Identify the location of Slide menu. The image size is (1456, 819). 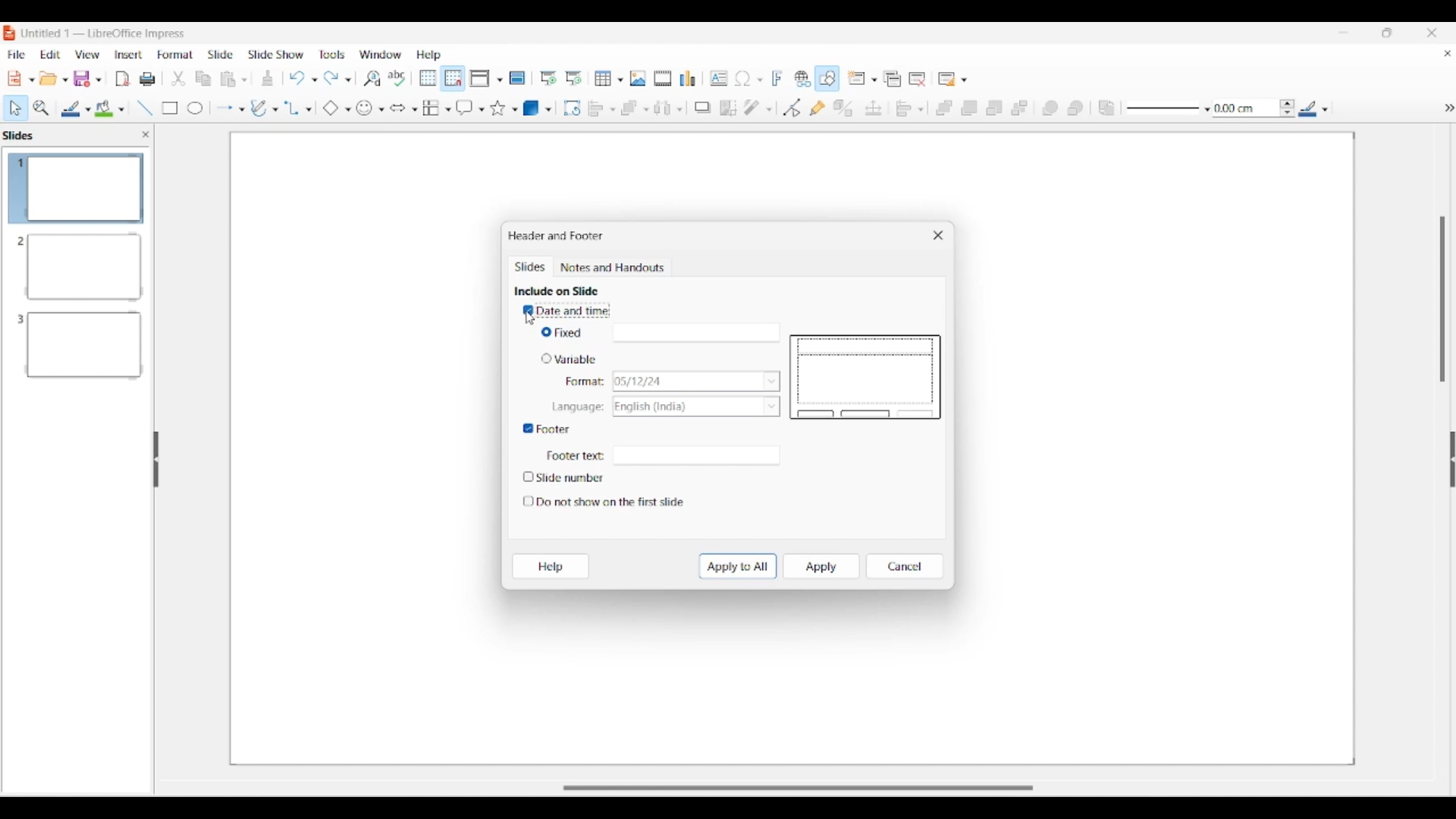
(221, 55).